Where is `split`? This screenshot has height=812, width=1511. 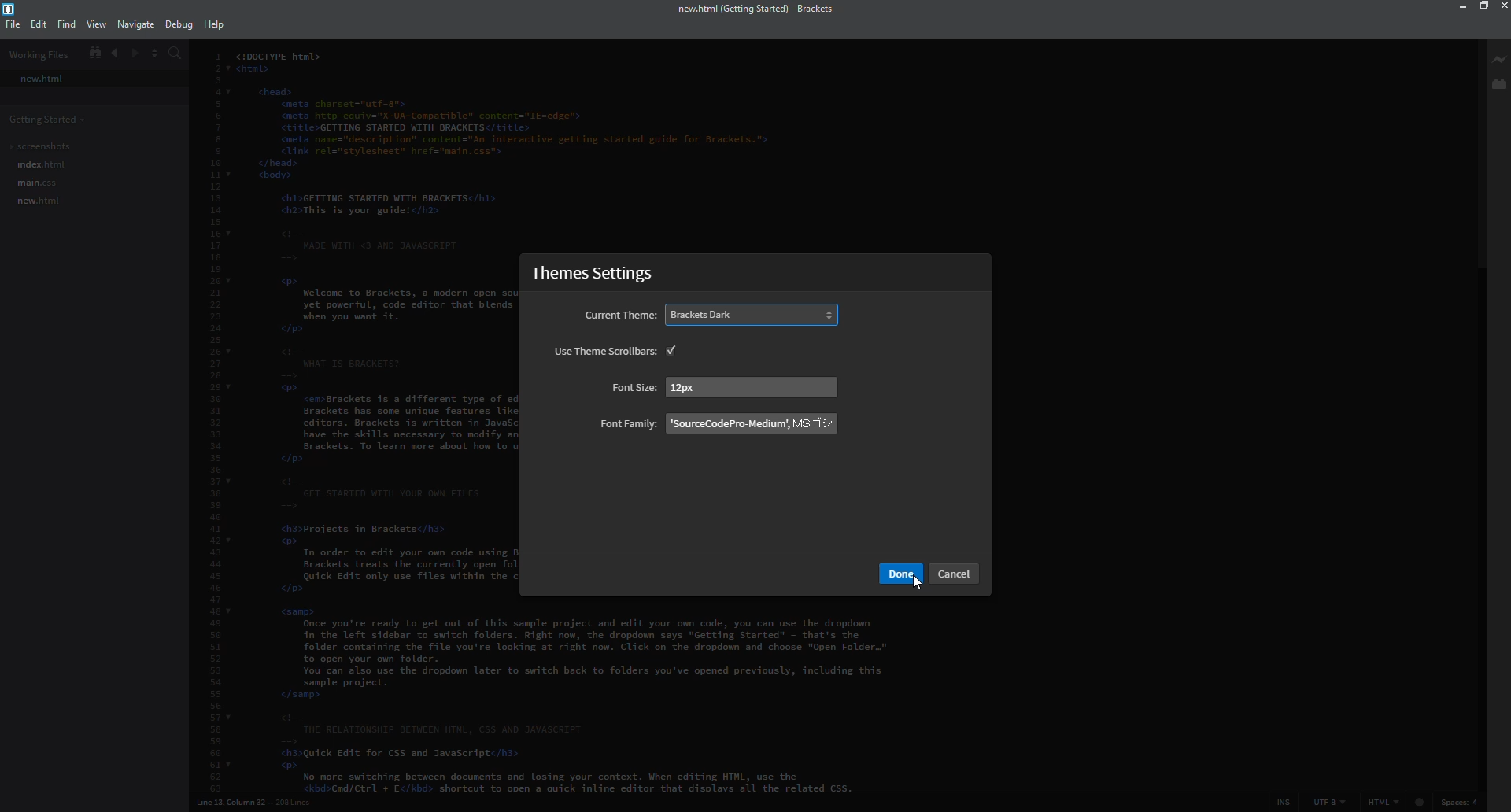
split is located at coordinates (153, 53).